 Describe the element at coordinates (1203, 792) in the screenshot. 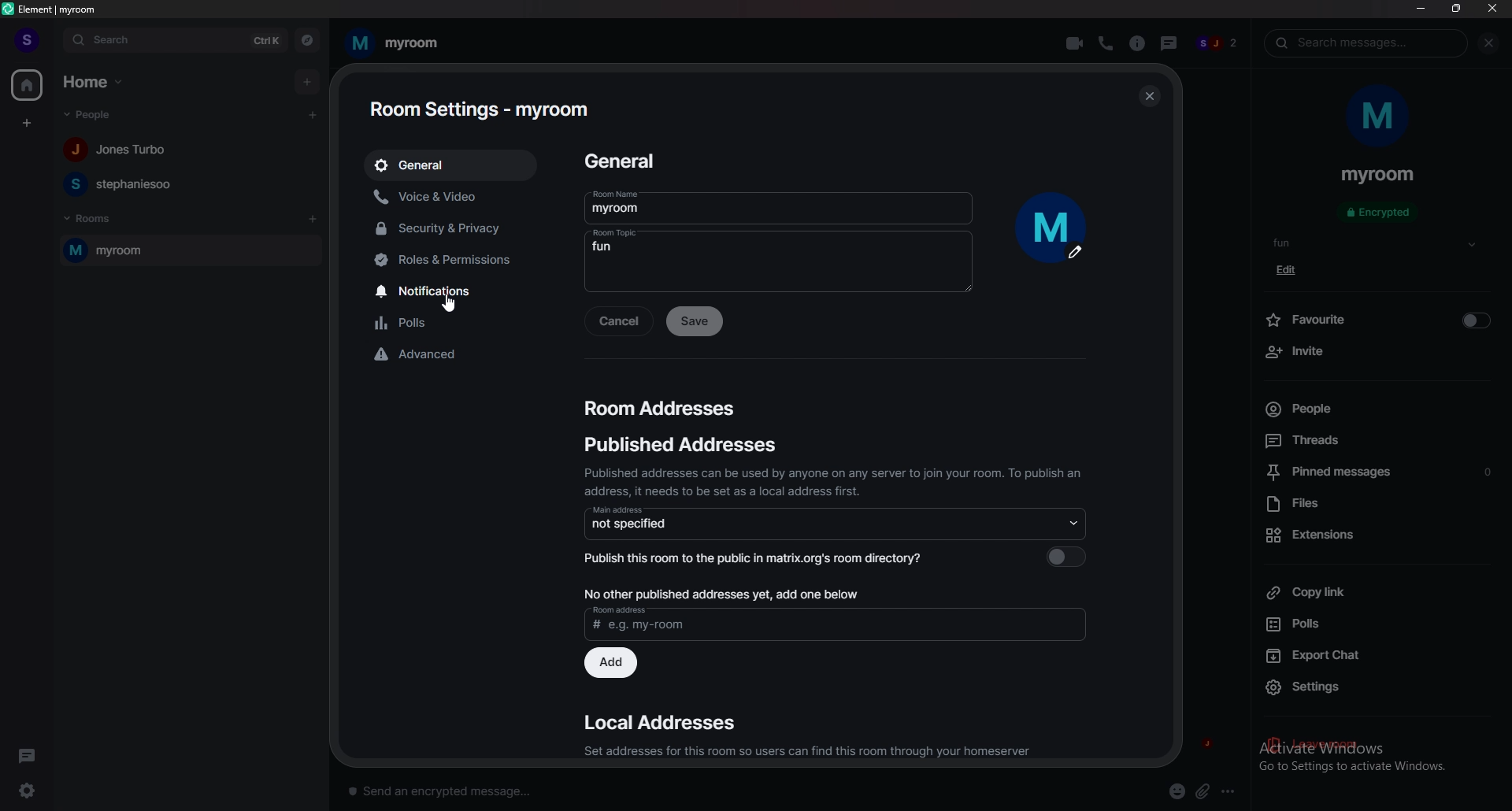

I see `attachment` at that location.